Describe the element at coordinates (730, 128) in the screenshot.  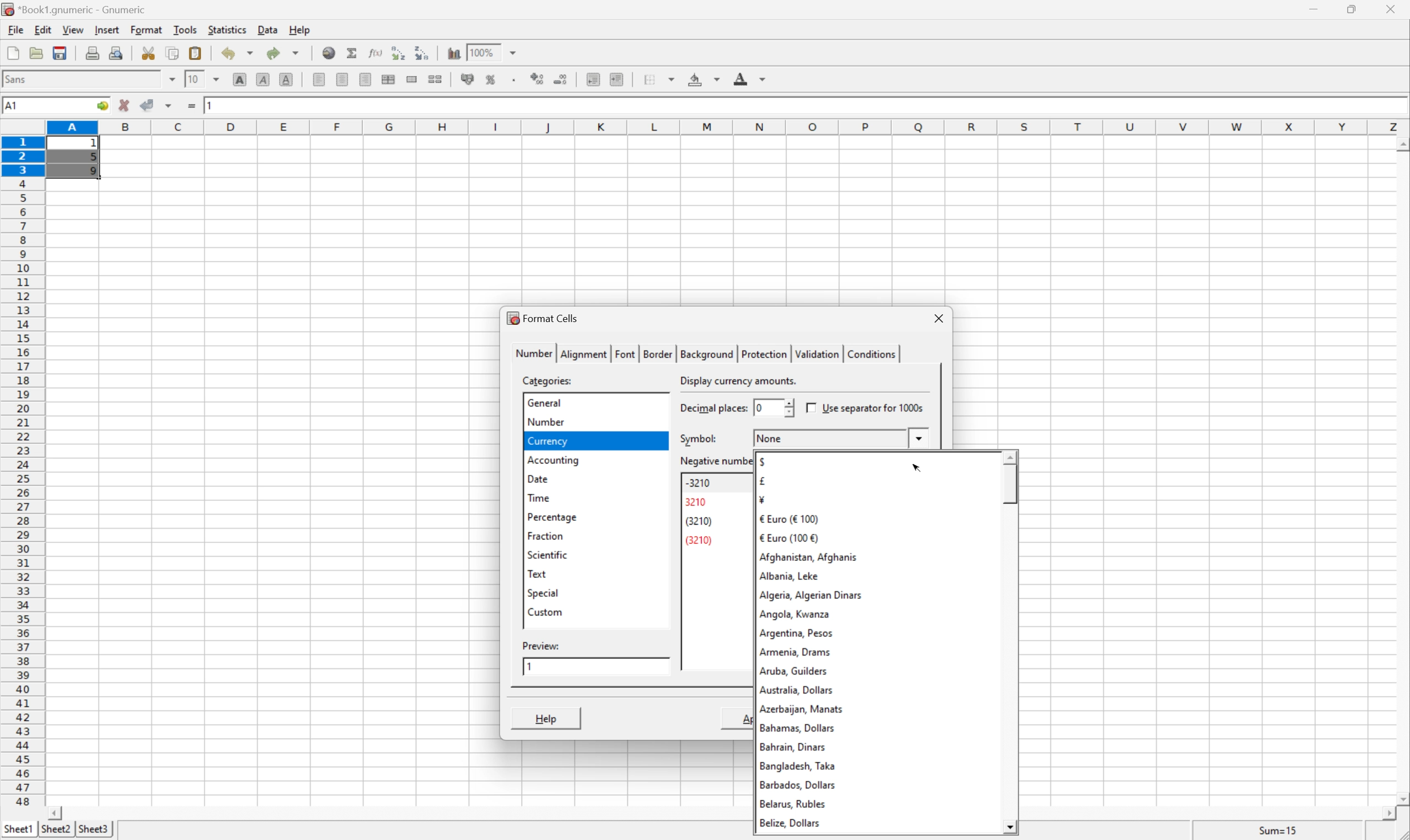
I see `column names` at that location.